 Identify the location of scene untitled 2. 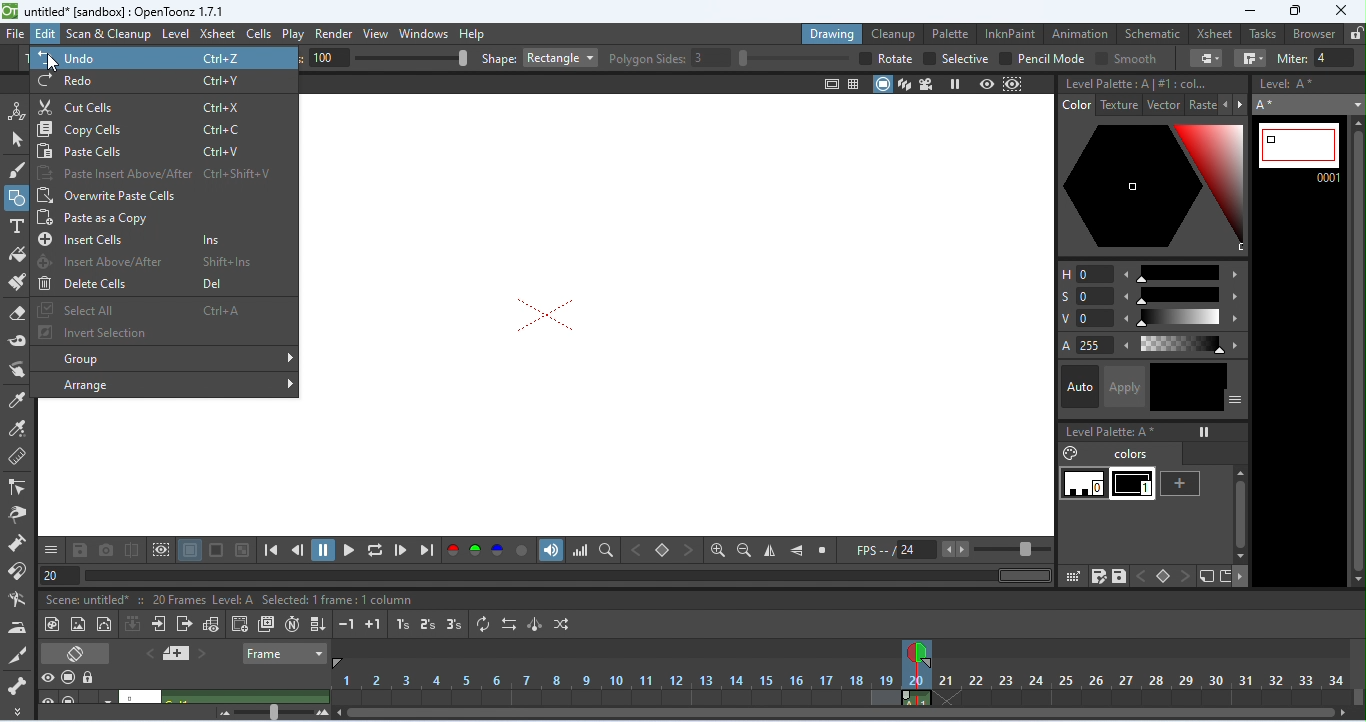
(129, 696).